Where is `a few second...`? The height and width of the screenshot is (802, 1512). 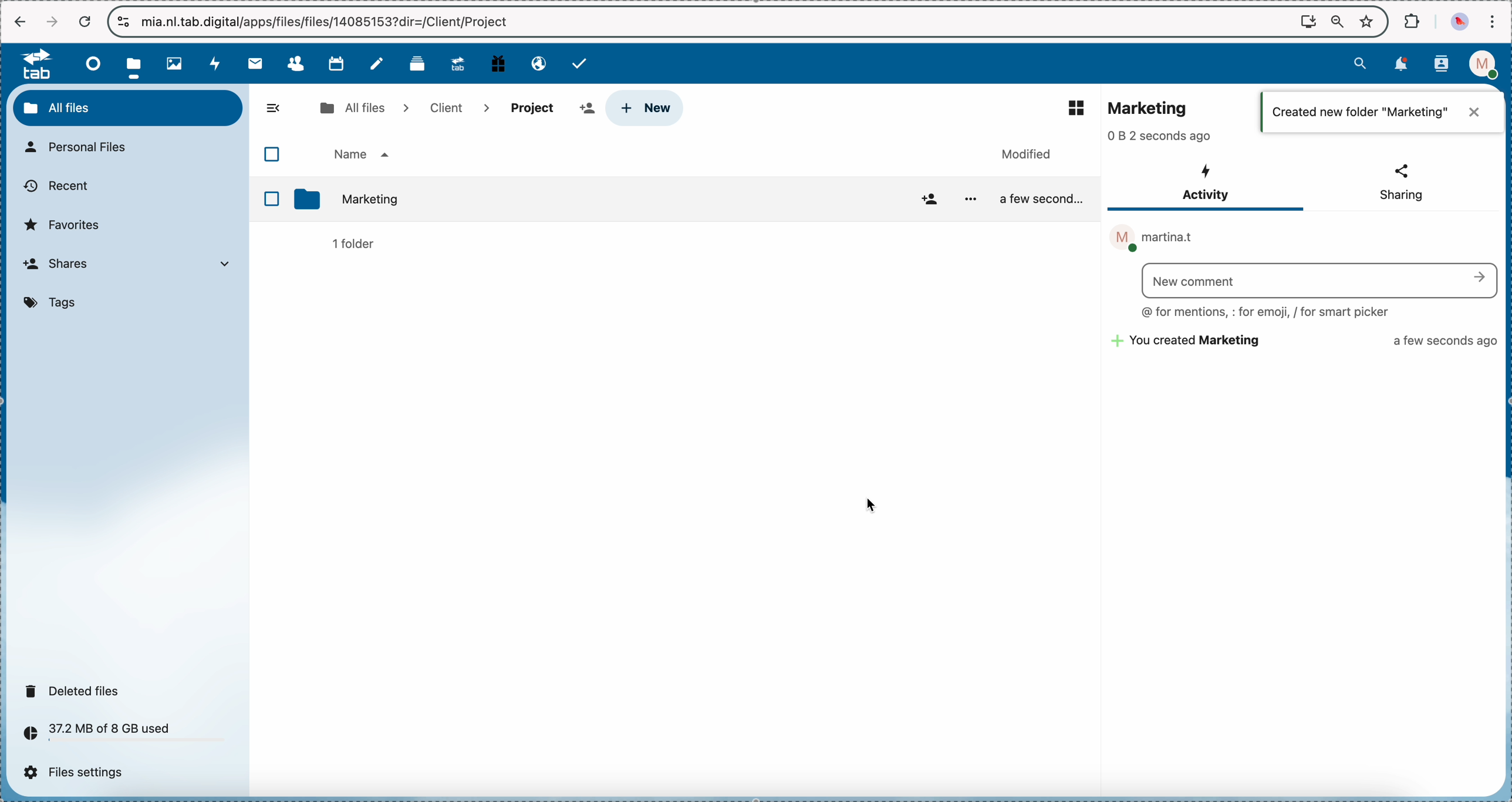 a few second... is located at coordinates (1043, 198).